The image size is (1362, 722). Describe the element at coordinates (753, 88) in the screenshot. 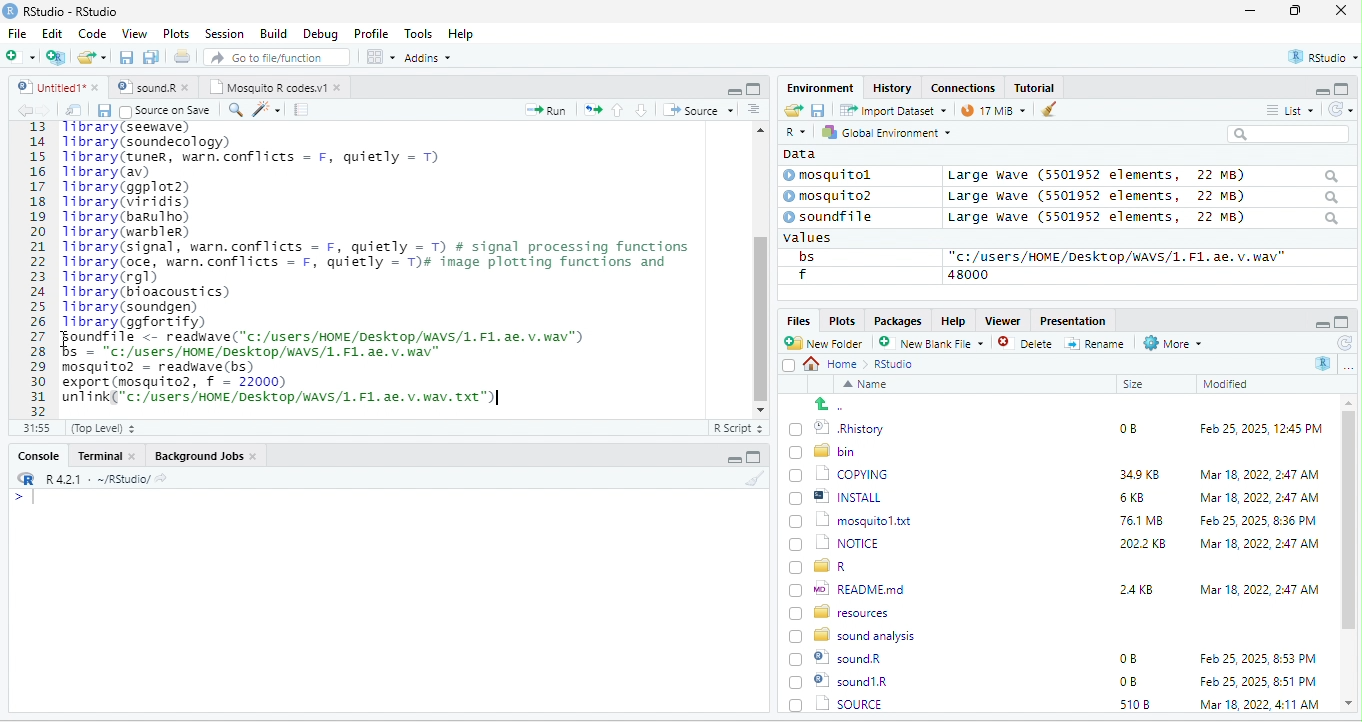

I see `maximize` at that location.